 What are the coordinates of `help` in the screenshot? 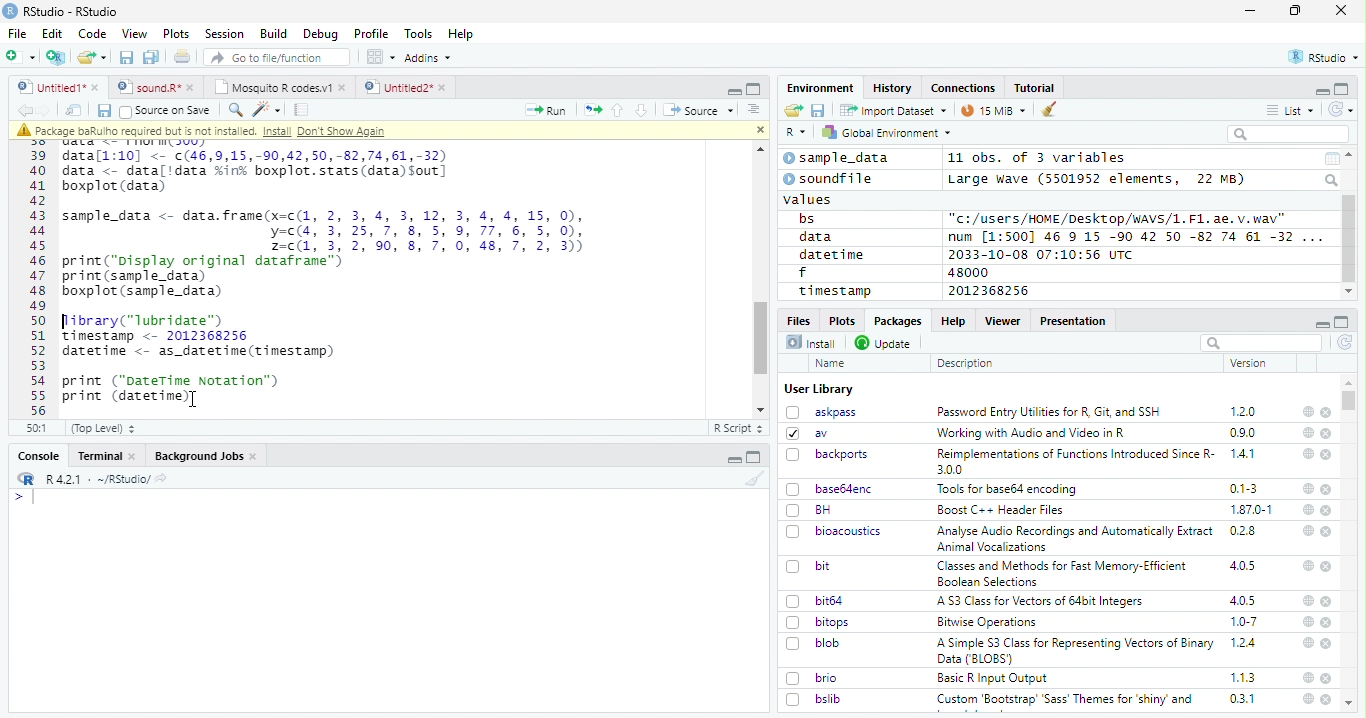 It's located at (1307, 699).